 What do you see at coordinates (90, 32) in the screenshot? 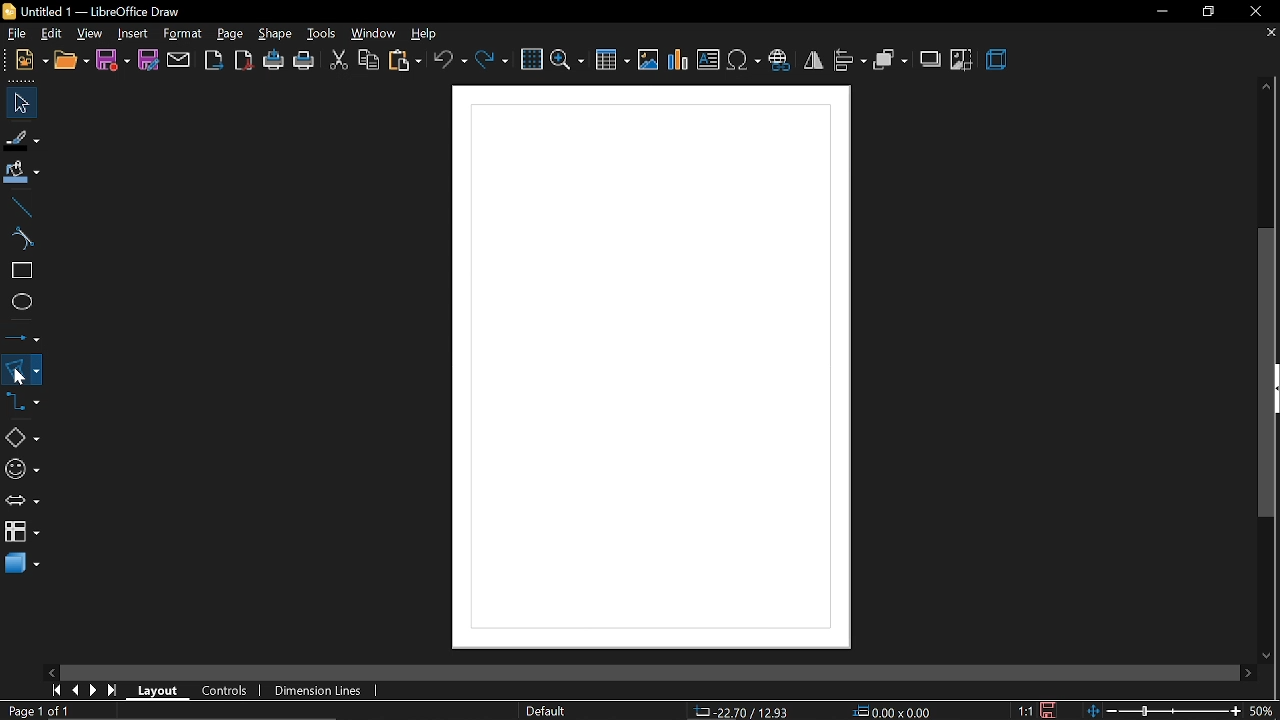
I see `view` at bounding box center [90, 32].